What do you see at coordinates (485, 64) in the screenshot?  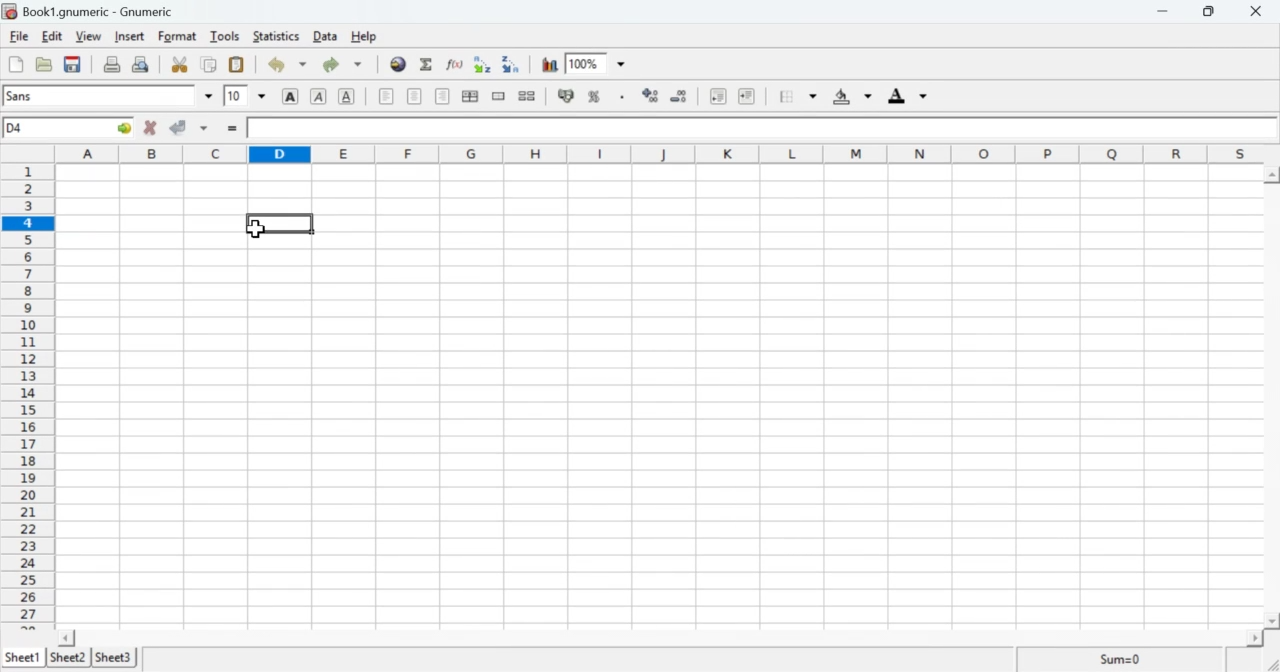 I see `Sort ascending` at bounding box center [485, 64].